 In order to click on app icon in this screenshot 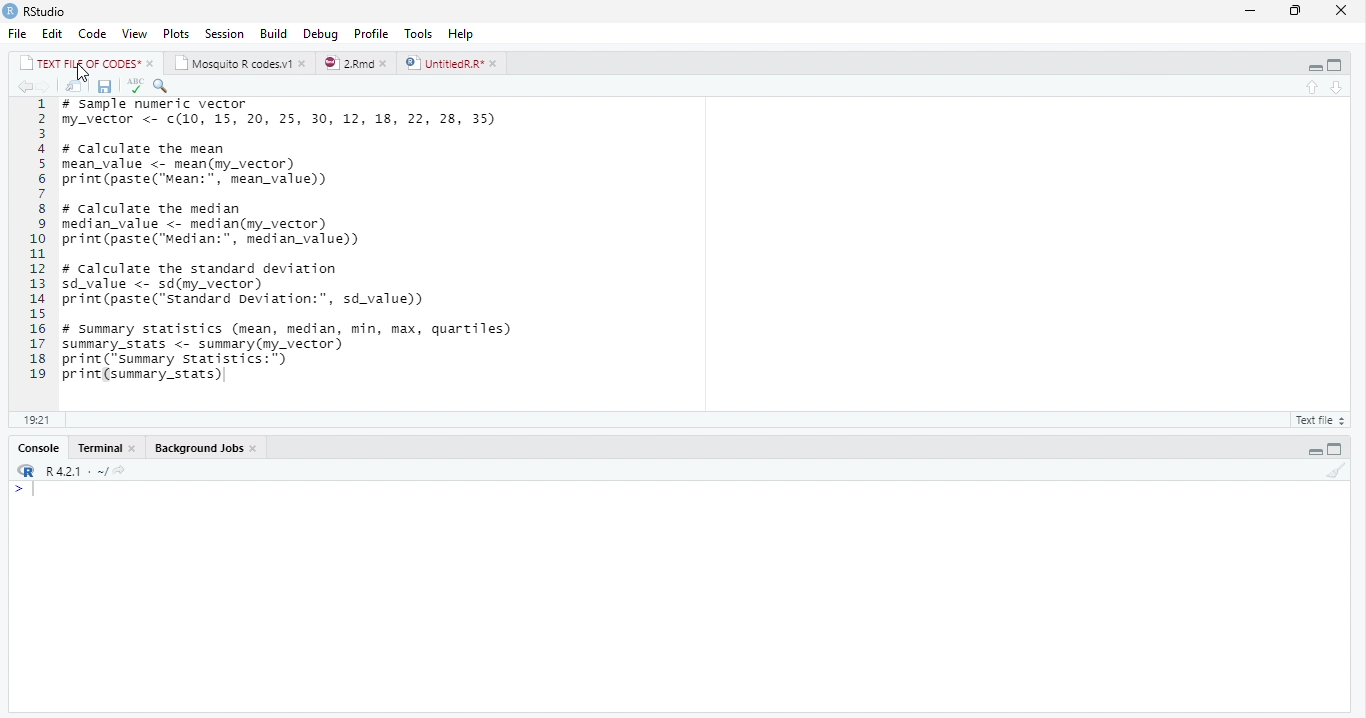, I will do `click(10, 10)`.